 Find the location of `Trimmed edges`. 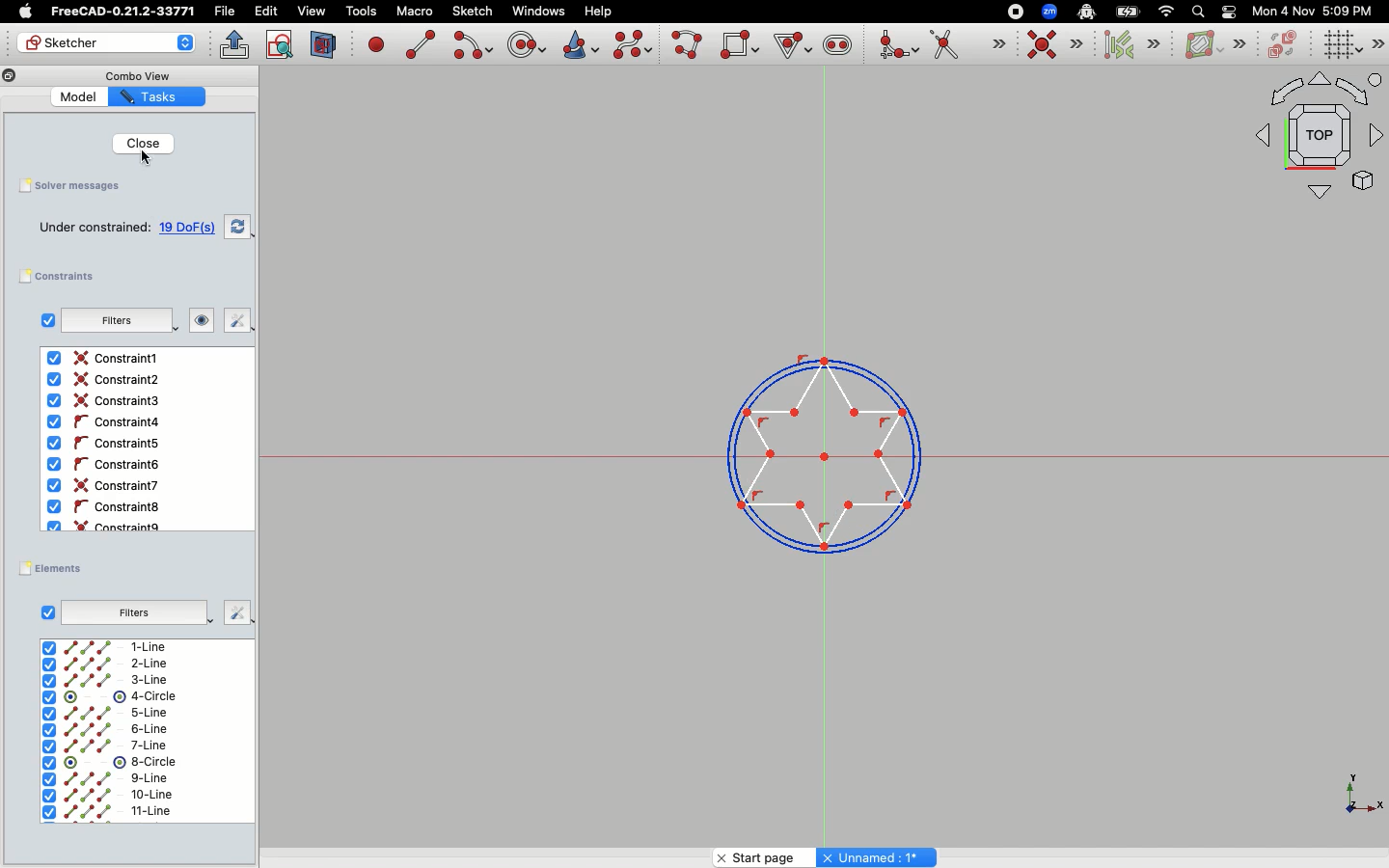

Trimmed edges is located at coordinates (836, 452).